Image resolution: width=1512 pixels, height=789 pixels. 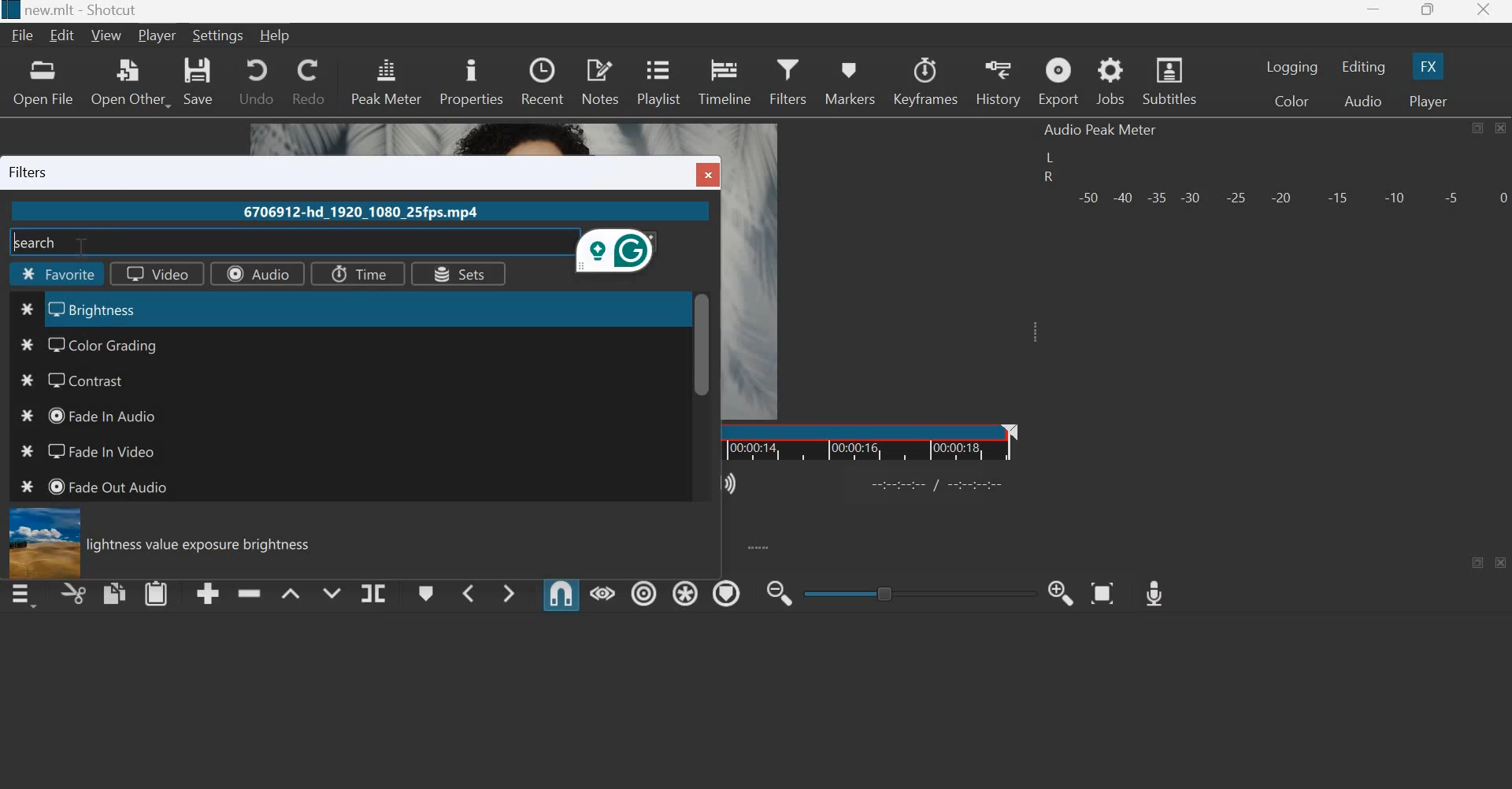 What do you see at coordinates (157, 36) in the screenshot?
I see `Player` at bounding box center [157, 36].